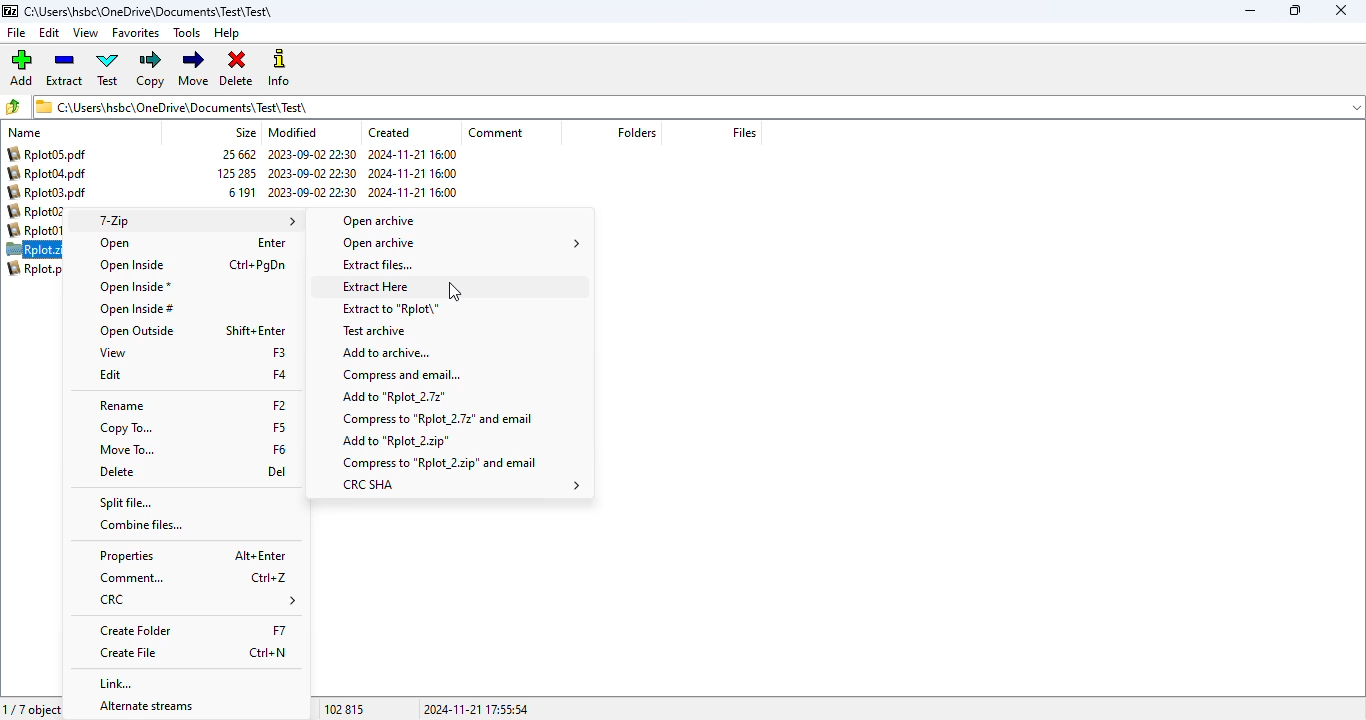 The width and height of the screenshot is (1366, 720). What do you see at coordinates (242, 193) in the screenshot?
I see `6 191` at bounding box center [242, 193].